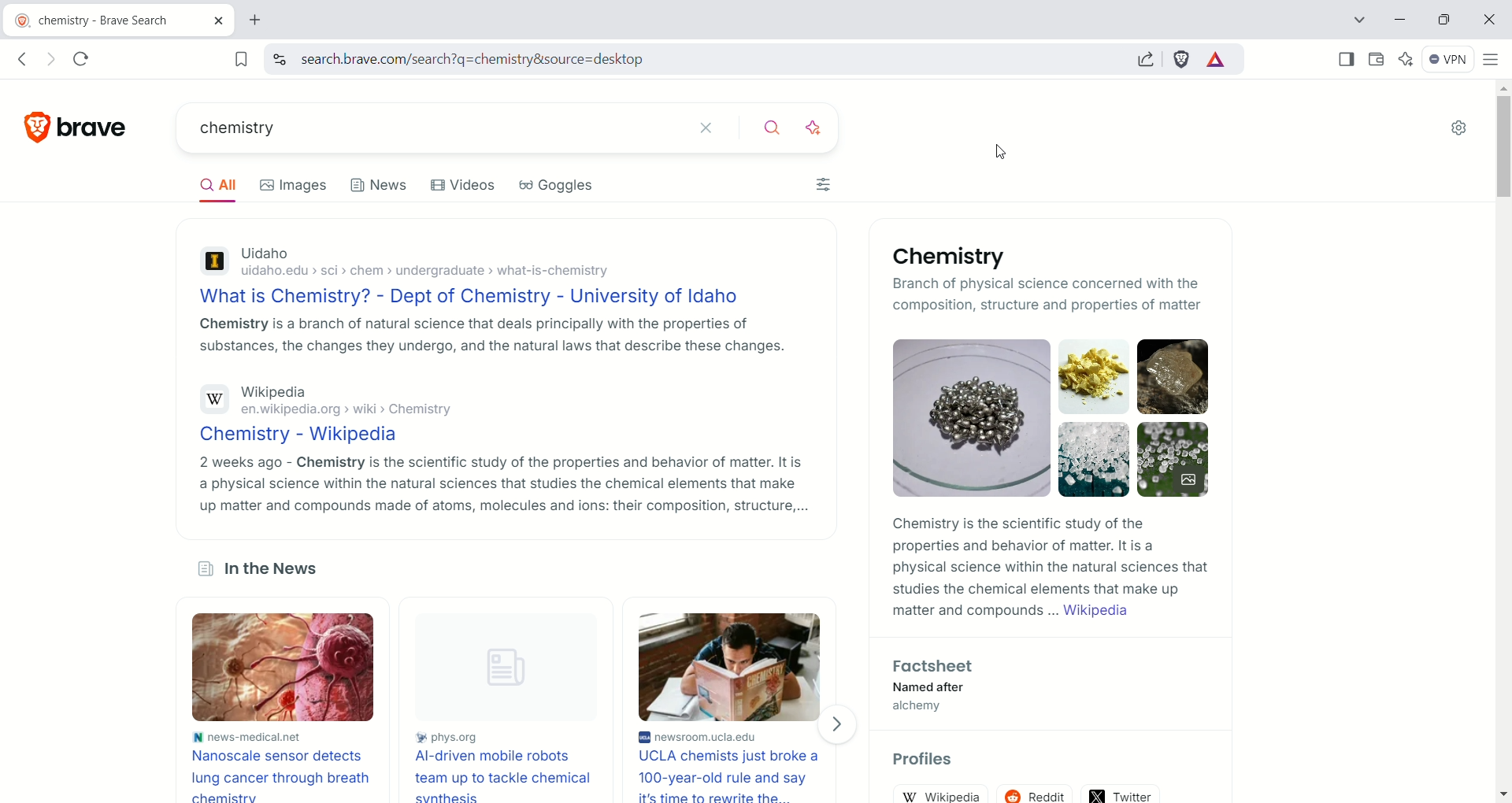 The height and width of the screenshot is (803, 1512). I want to click on VPN, so click(1449, 61).